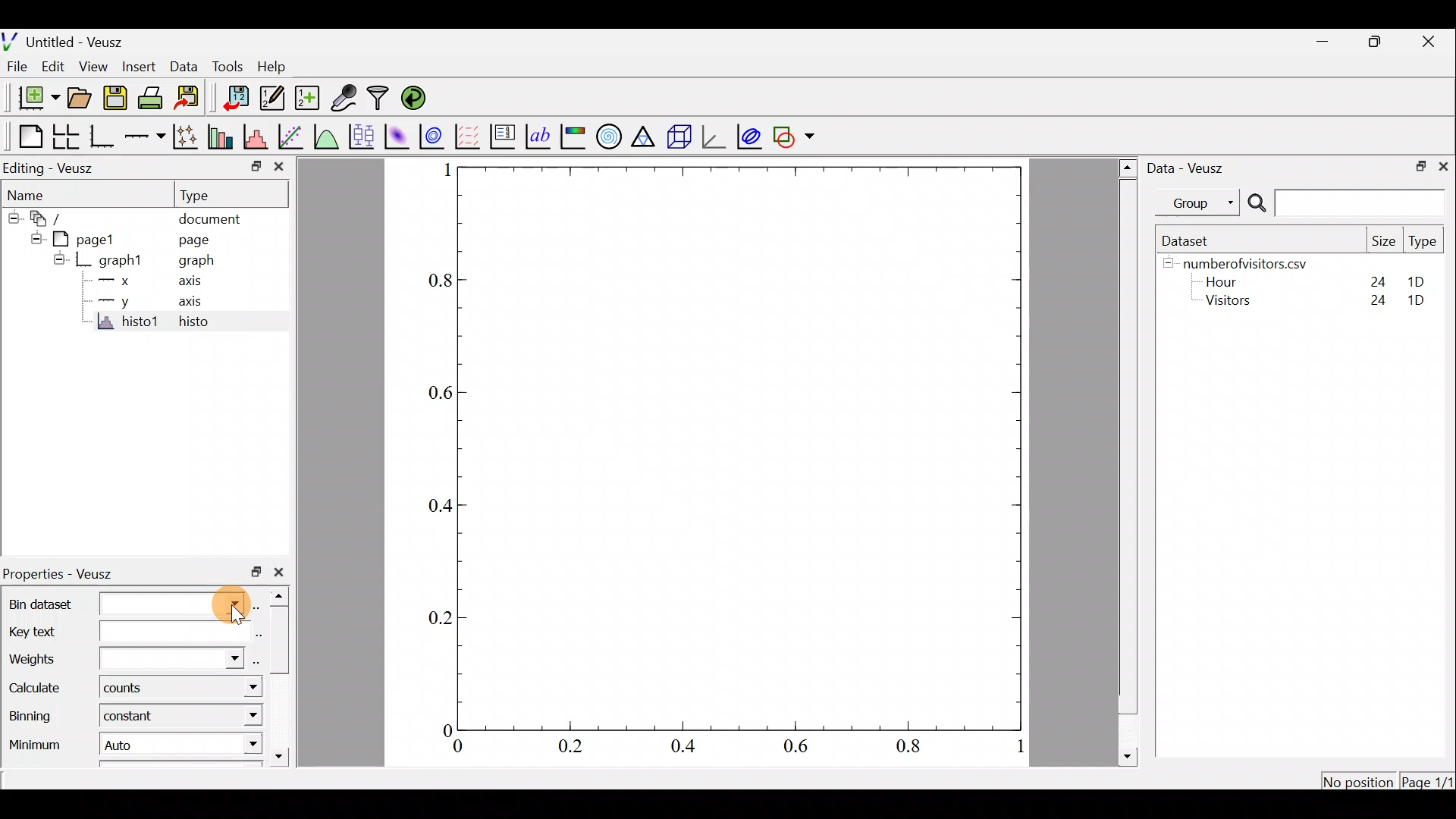 The width and height of the screenshot is (1456, 819). What do you see at coordinates (1410, 278) in the screenshot?
I see `1D` at bounding box center [1410, 278].